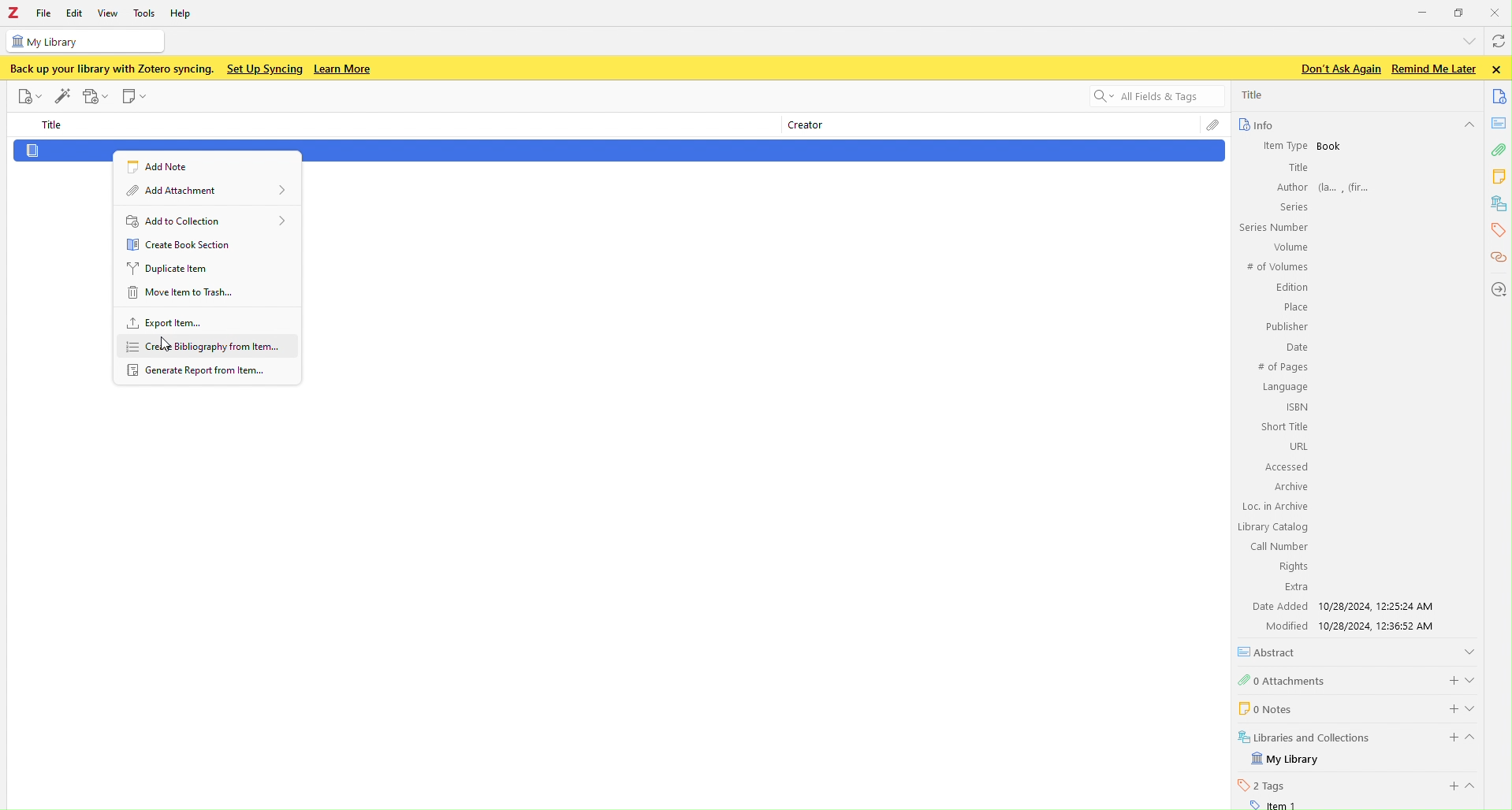 The width and height of the screenshot is (1512, 810). I want to click on notes, so click(1500, 176).